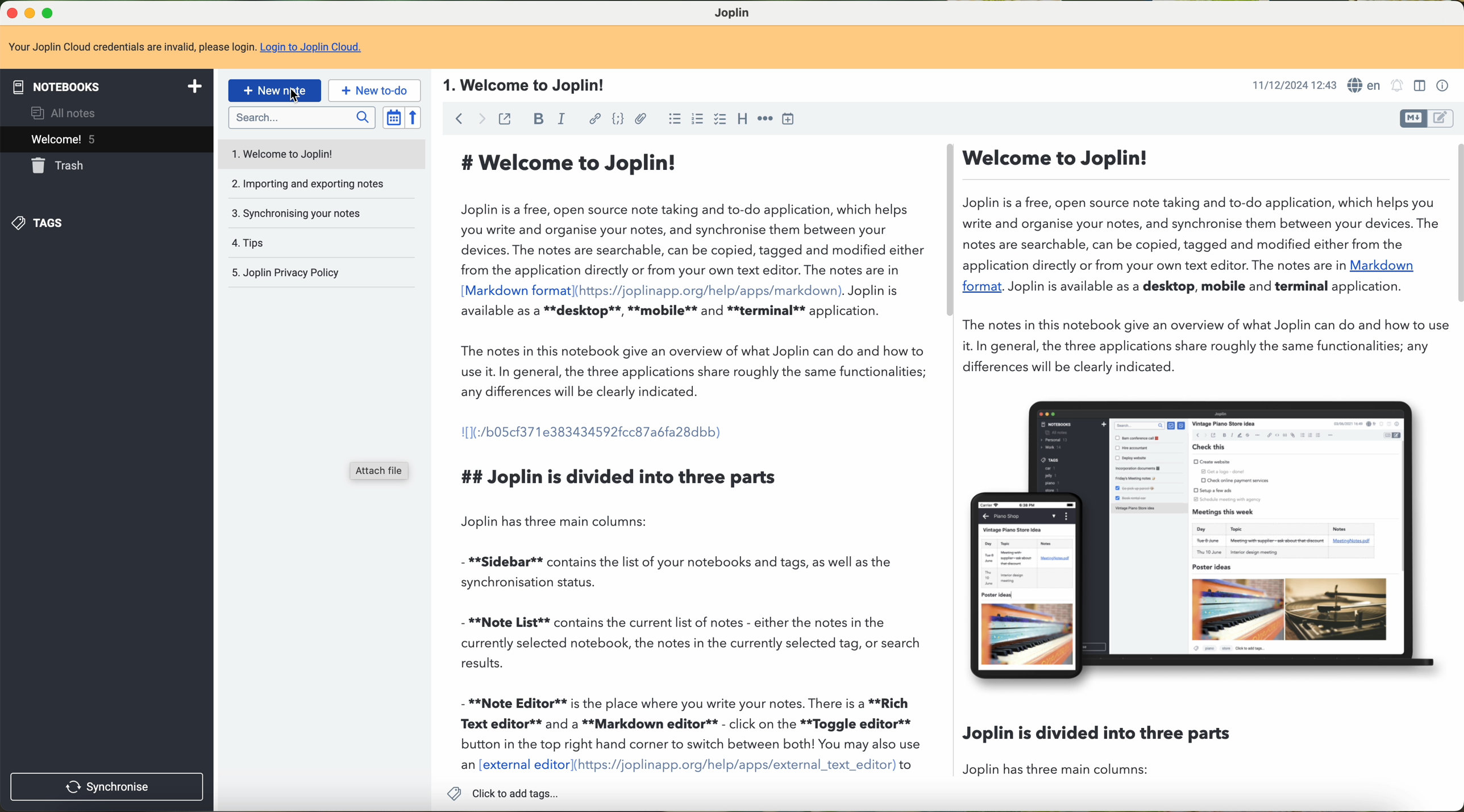 The image size is (1464, 812). Describe the element at coordinates (539, 119) in the screenshot. I see `bold` at that location.